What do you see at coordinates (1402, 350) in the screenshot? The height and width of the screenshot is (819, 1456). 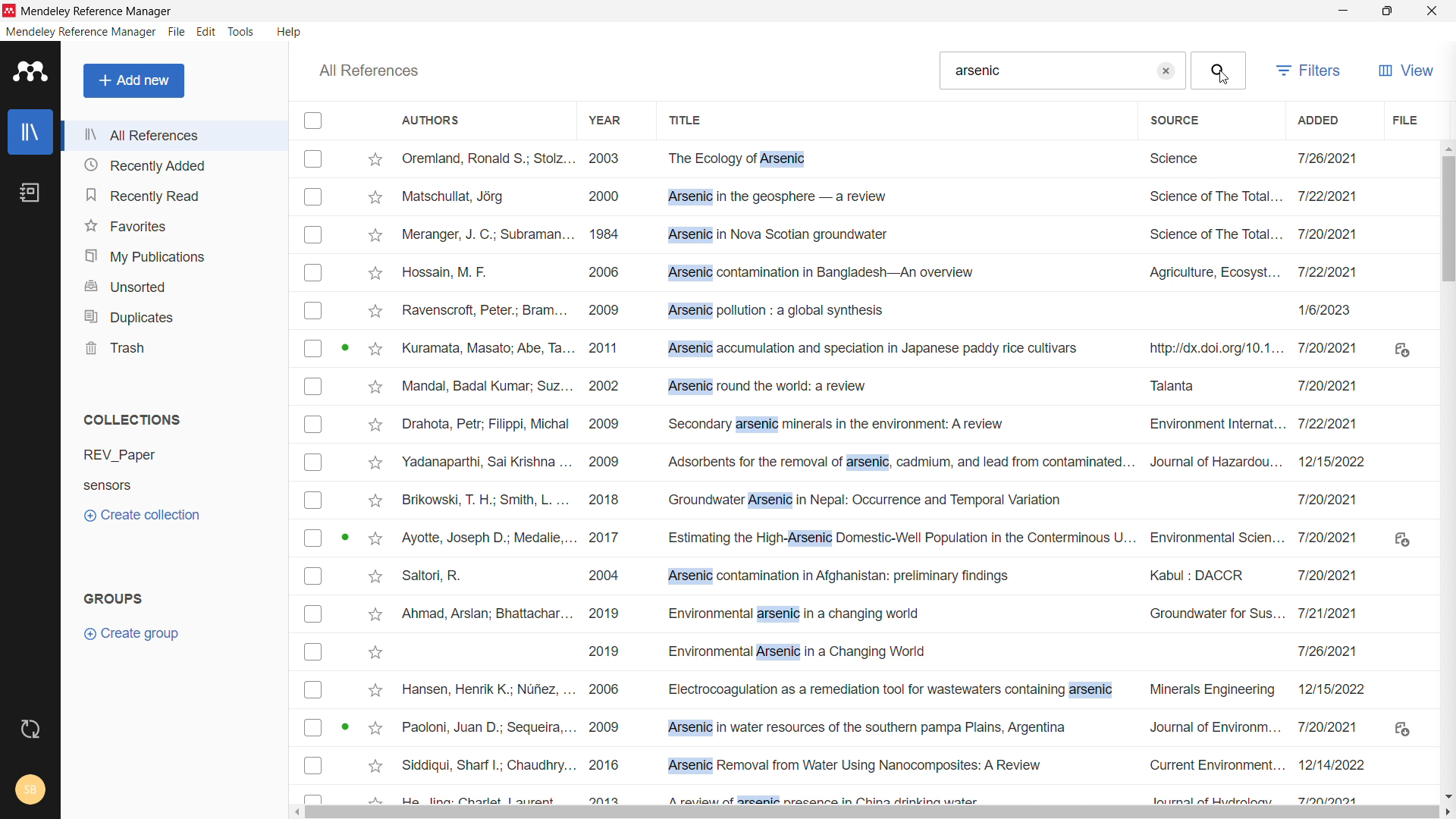 I see `Download` at bounding box center [1402, 350].